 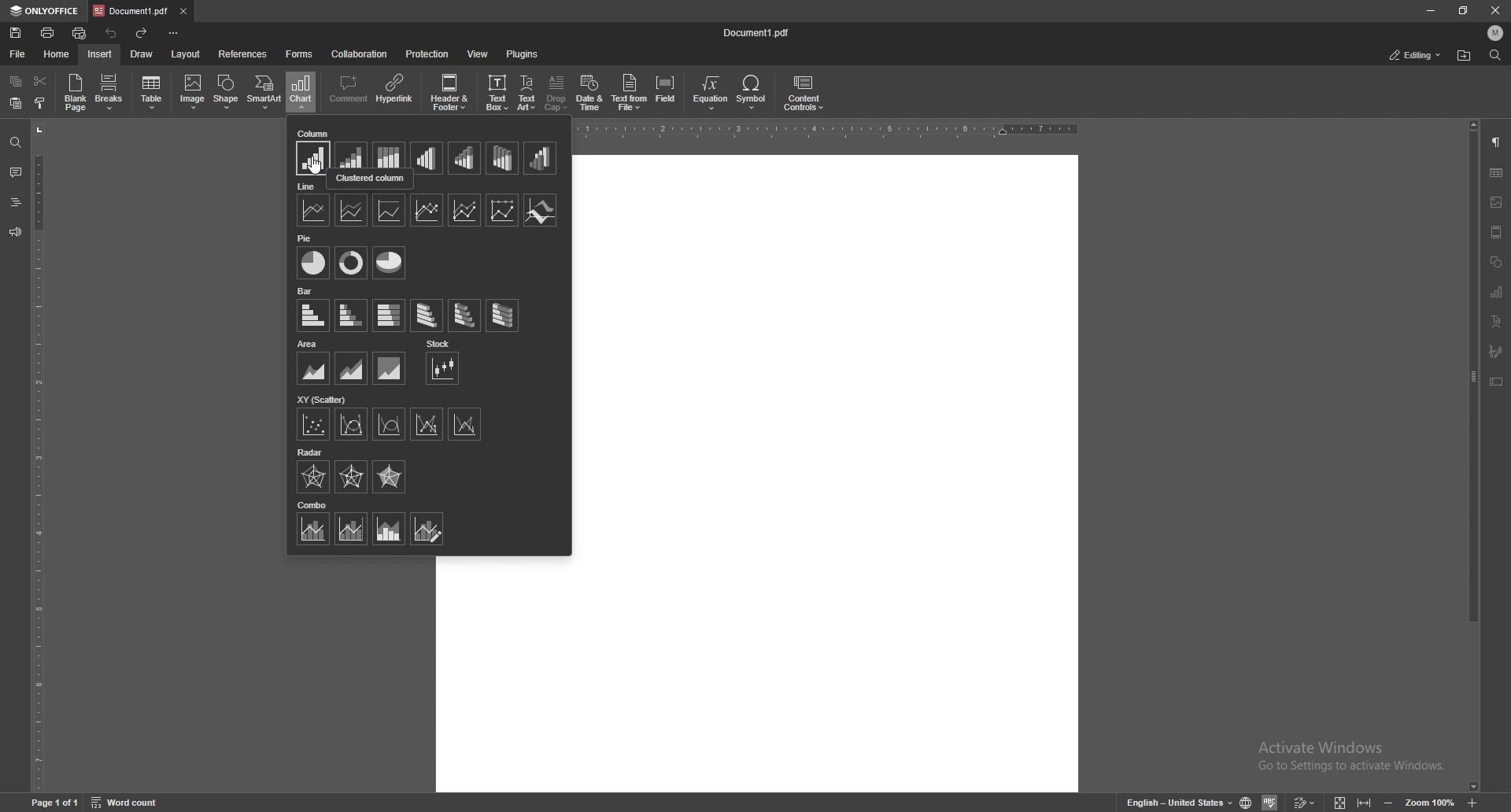 I want to click on scatter with smooth lines and markers, so click(x=352, y=425).